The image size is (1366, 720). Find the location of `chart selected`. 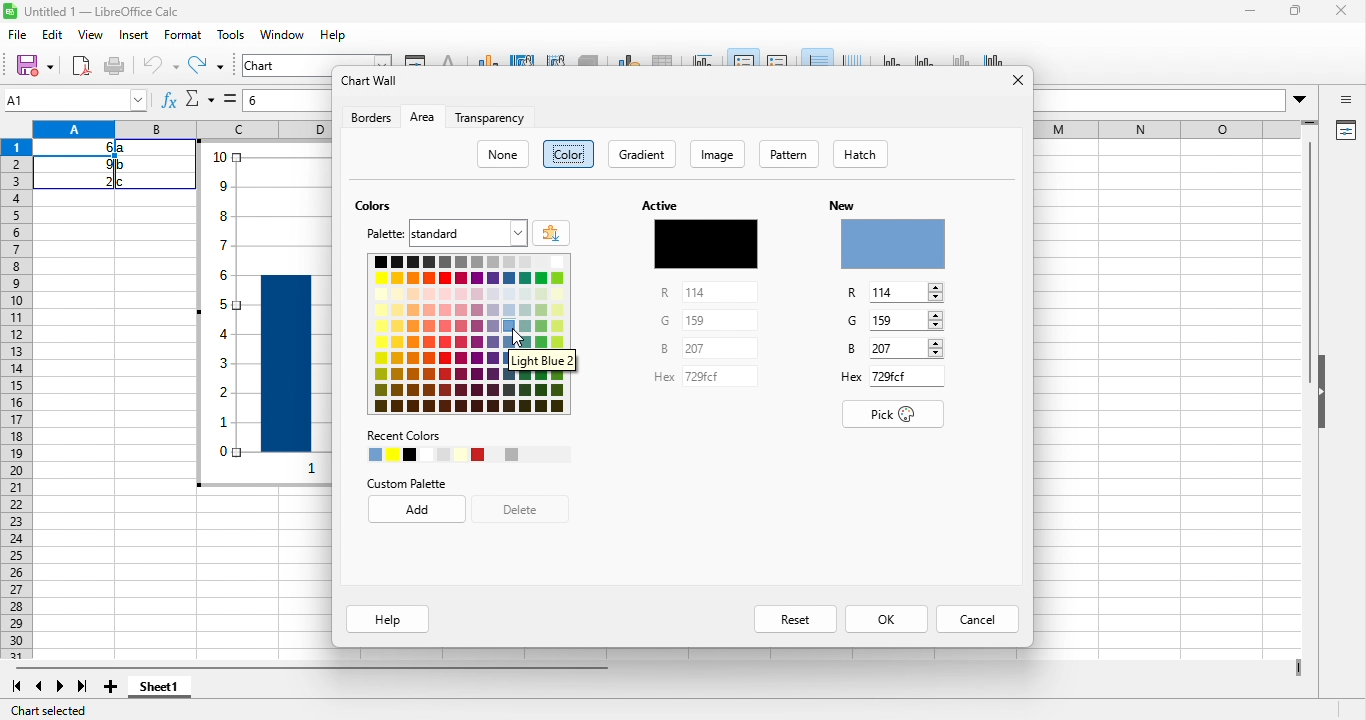

chart selected is located at coordinates (59, 710).